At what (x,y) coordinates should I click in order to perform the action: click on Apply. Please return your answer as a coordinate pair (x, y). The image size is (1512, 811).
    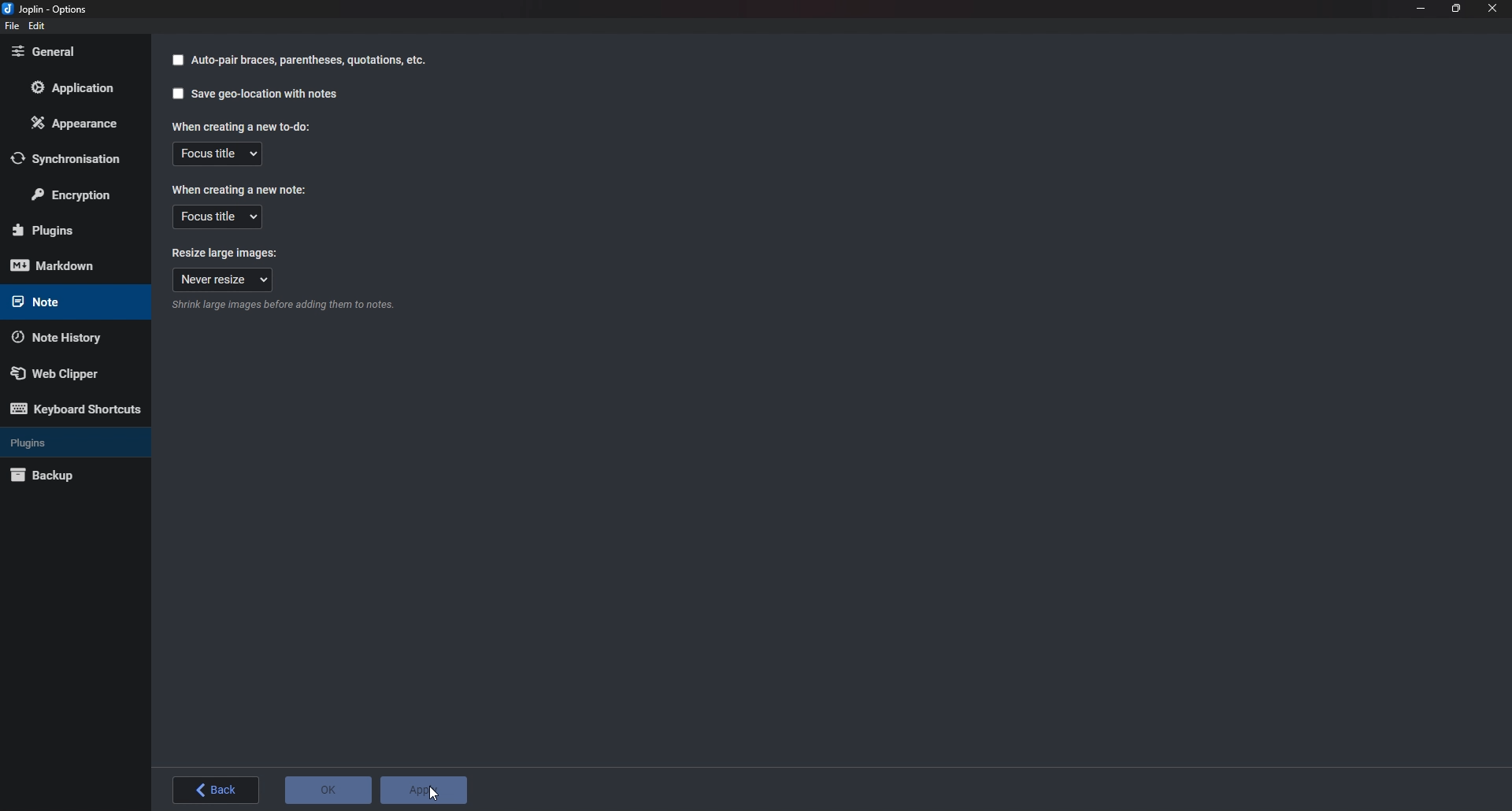
    Looking at the image, I should click on (421, 791).